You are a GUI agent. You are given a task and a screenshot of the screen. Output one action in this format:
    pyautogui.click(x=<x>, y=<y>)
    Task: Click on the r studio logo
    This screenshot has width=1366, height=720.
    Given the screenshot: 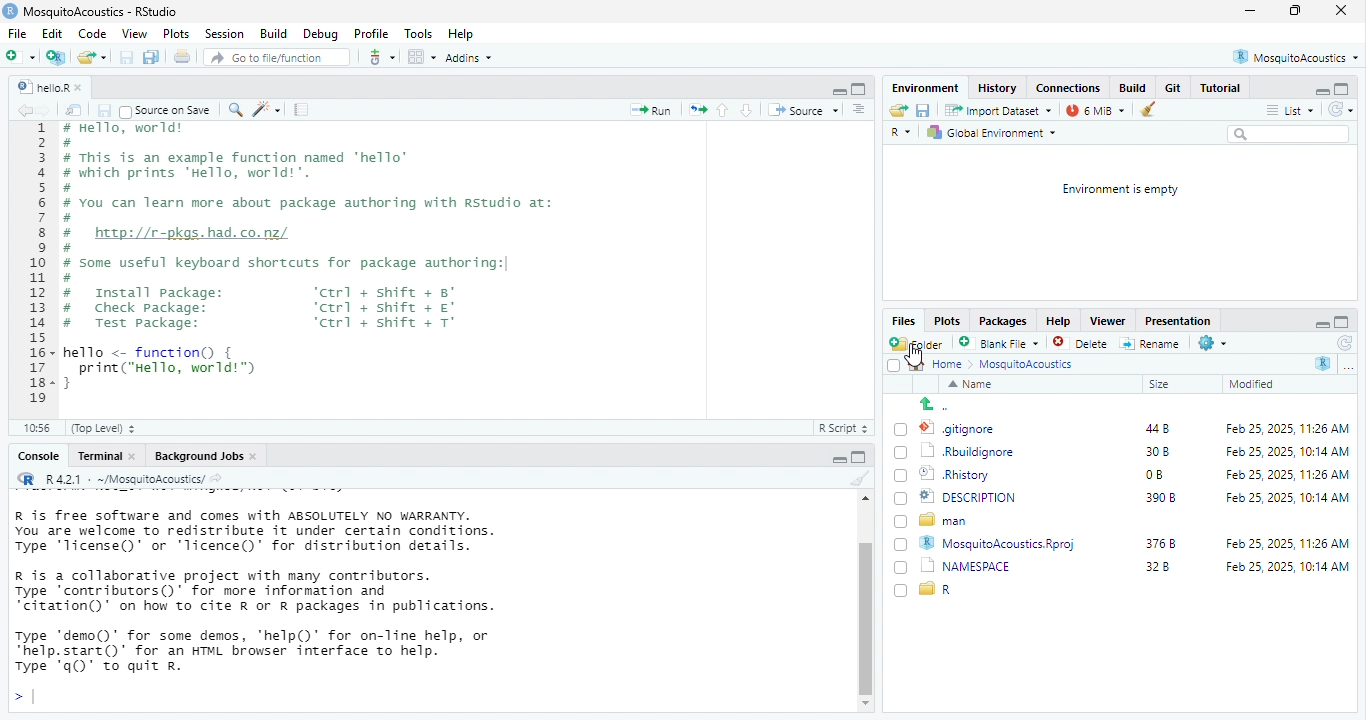 What is the action you would take?
    pyautogui.click(x=1321, y=364)
    